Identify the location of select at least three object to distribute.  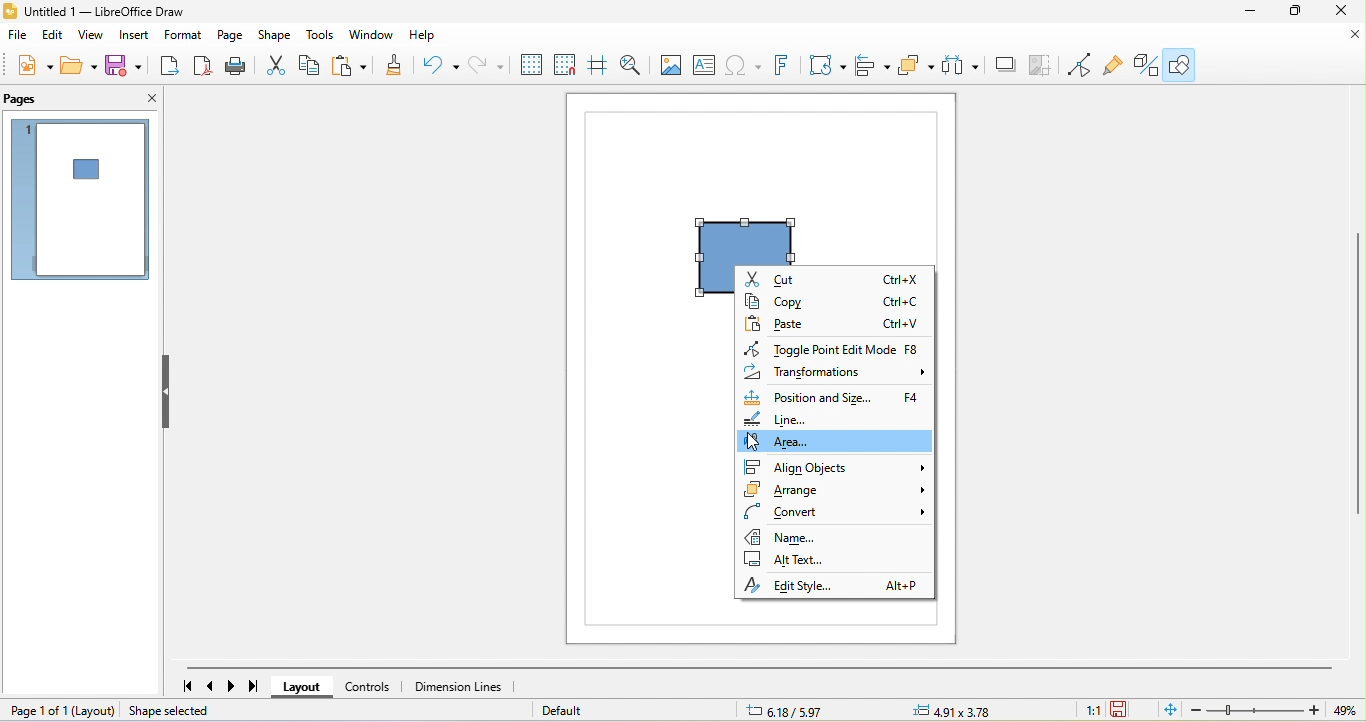
(963, 66).